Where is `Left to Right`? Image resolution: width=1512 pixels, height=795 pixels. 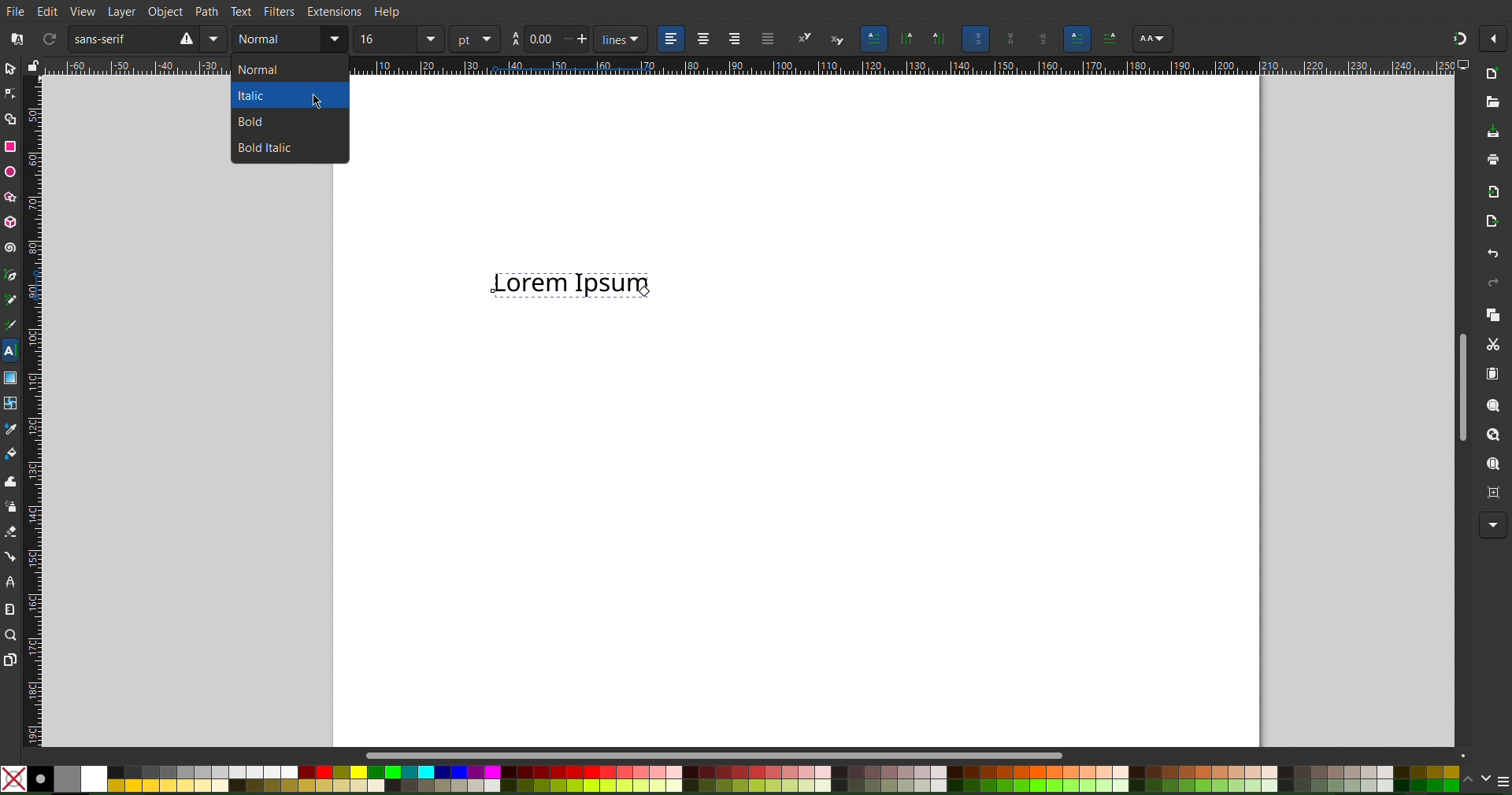 Left to Right is located at coordinates (1077, 39).